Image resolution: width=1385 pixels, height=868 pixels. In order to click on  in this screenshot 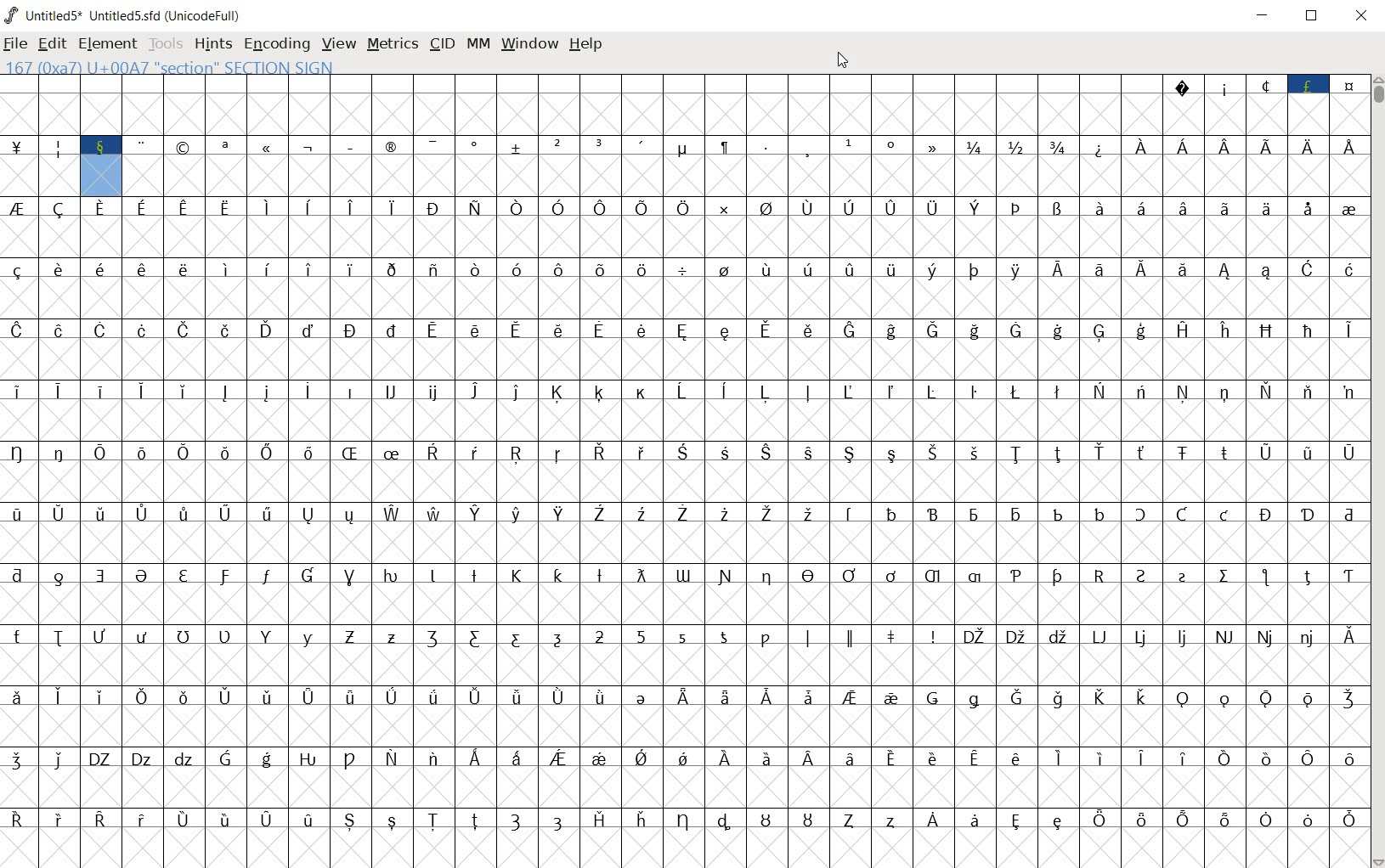, I will do `click(392, 533)`.